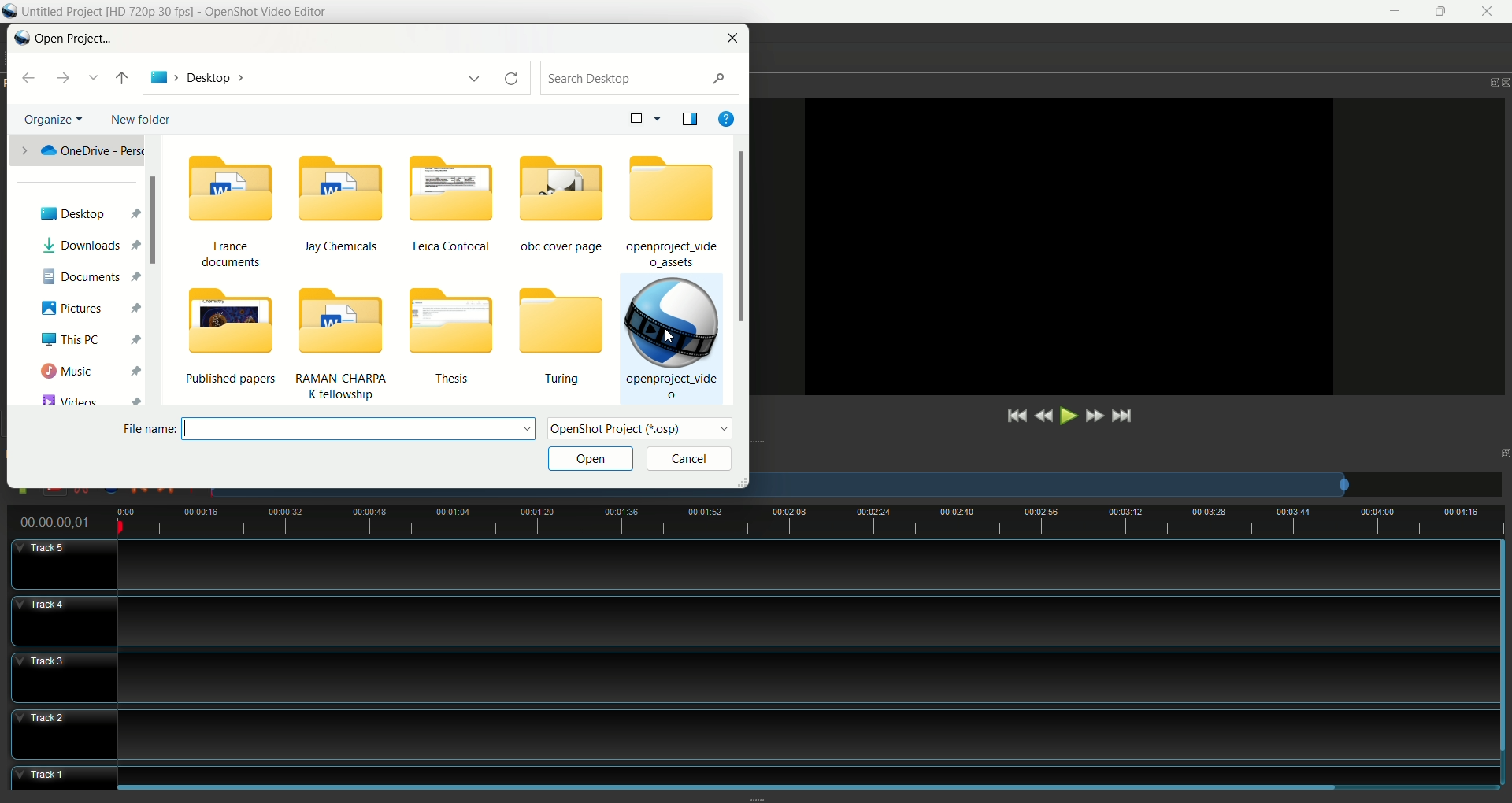 The image size is (1512, 803). What do you see at coordinates (144, 119) in the screenshot?
I see `new folder` at bounding box center [144, 119].